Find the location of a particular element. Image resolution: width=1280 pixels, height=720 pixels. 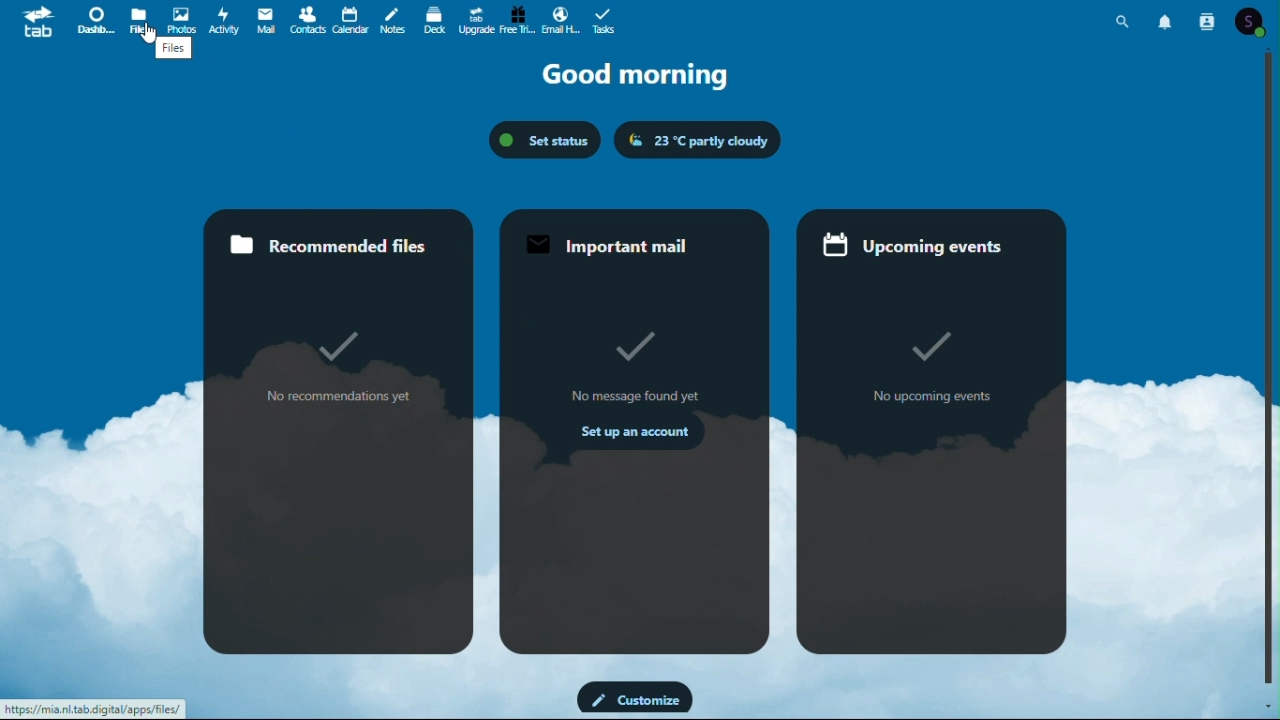

Email hosting is located at coordinates (560, 18).